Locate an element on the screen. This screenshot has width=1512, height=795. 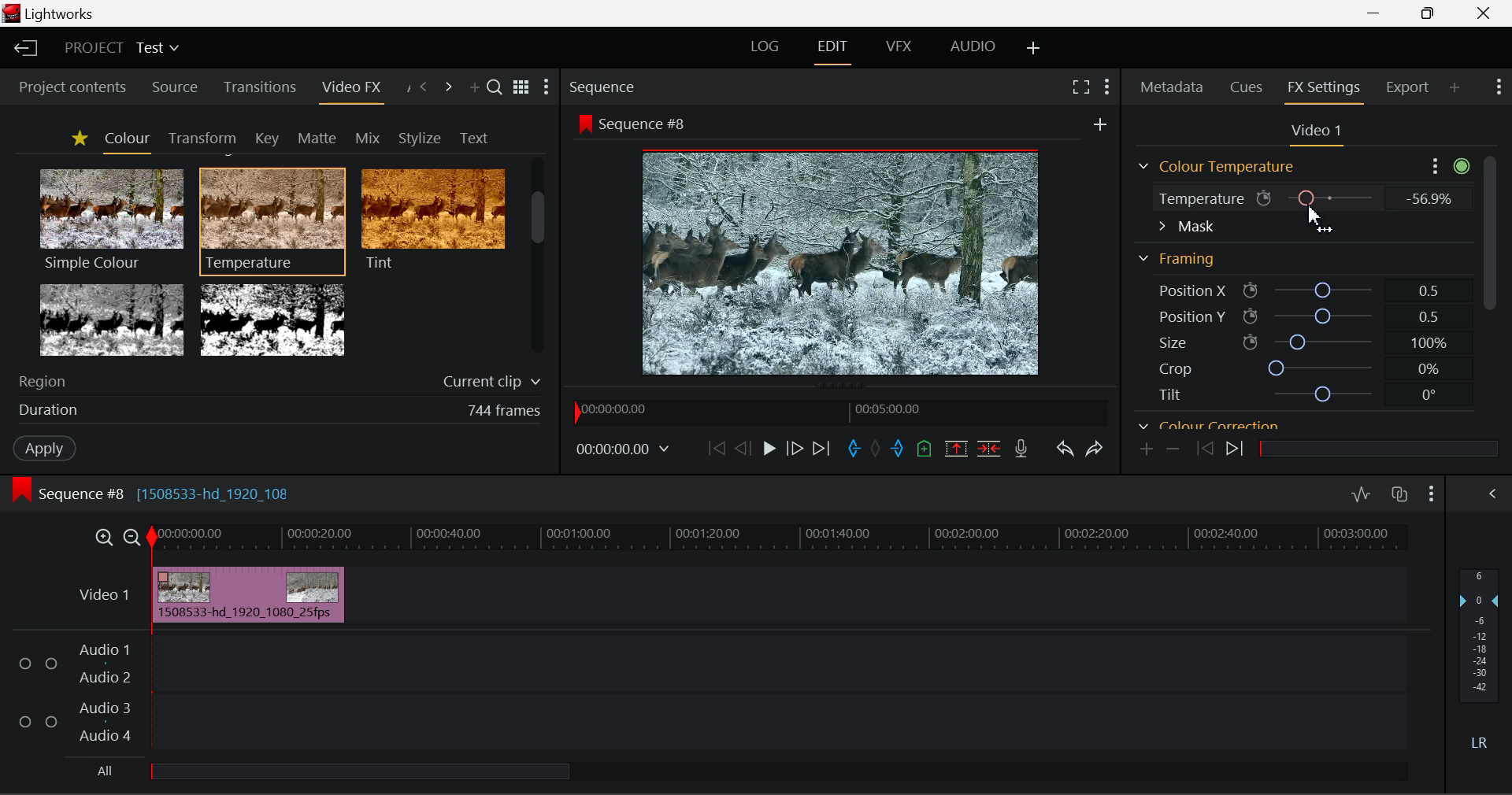
Colour Temperature is located at coordinates (1221, 167).